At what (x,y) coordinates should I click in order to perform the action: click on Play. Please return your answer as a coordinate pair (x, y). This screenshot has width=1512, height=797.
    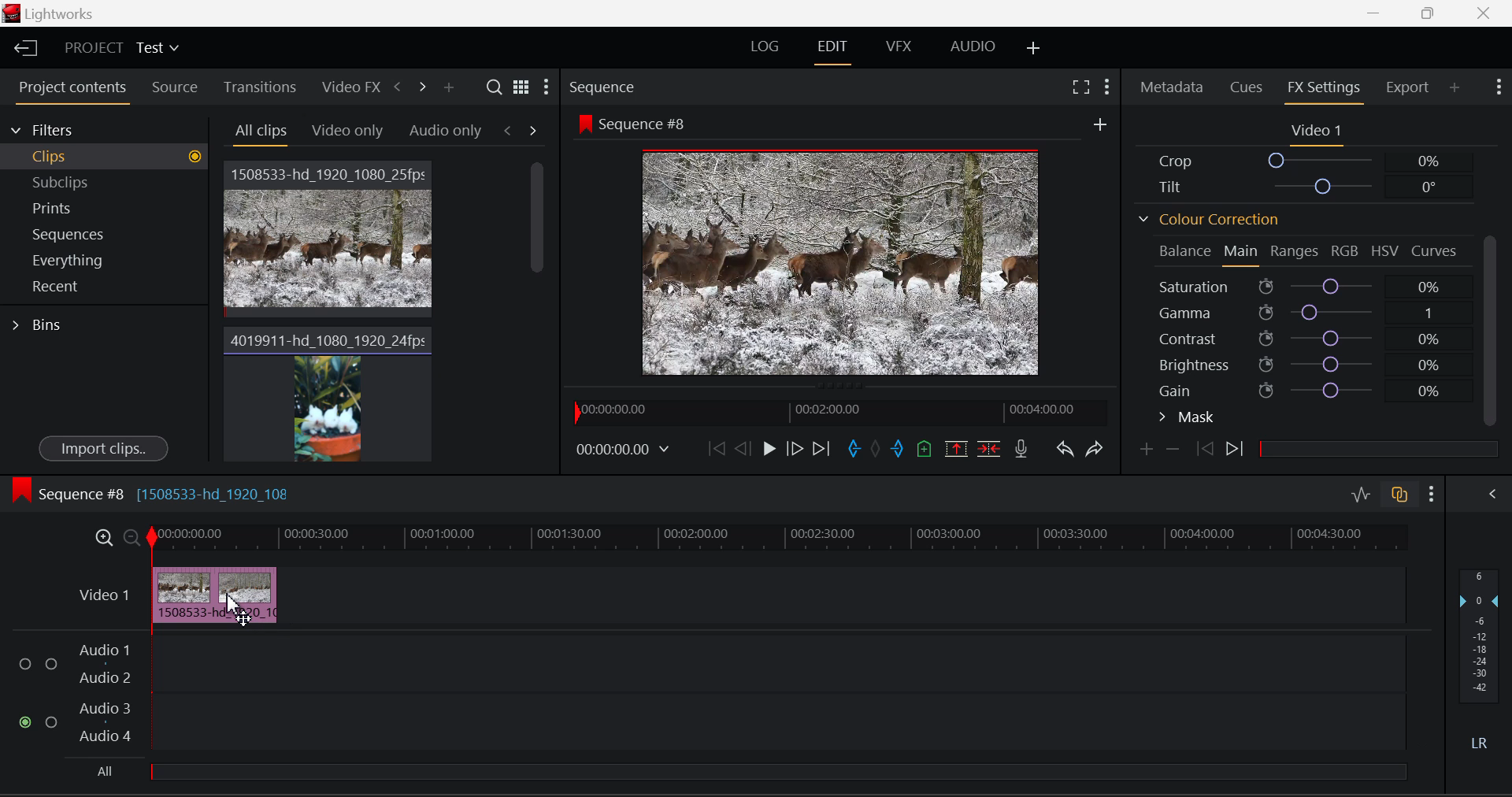
    Looking at the image, I should click on (770, 450).